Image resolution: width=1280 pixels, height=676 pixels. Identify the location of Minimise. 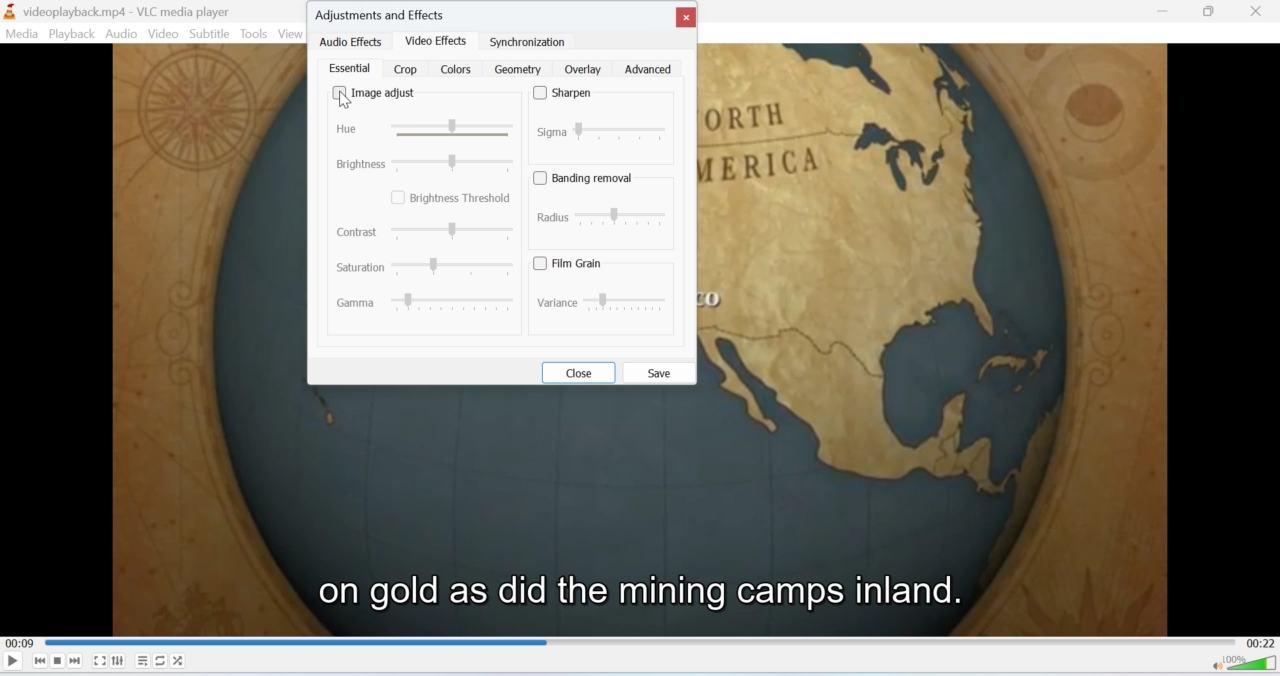
(1211, 12).